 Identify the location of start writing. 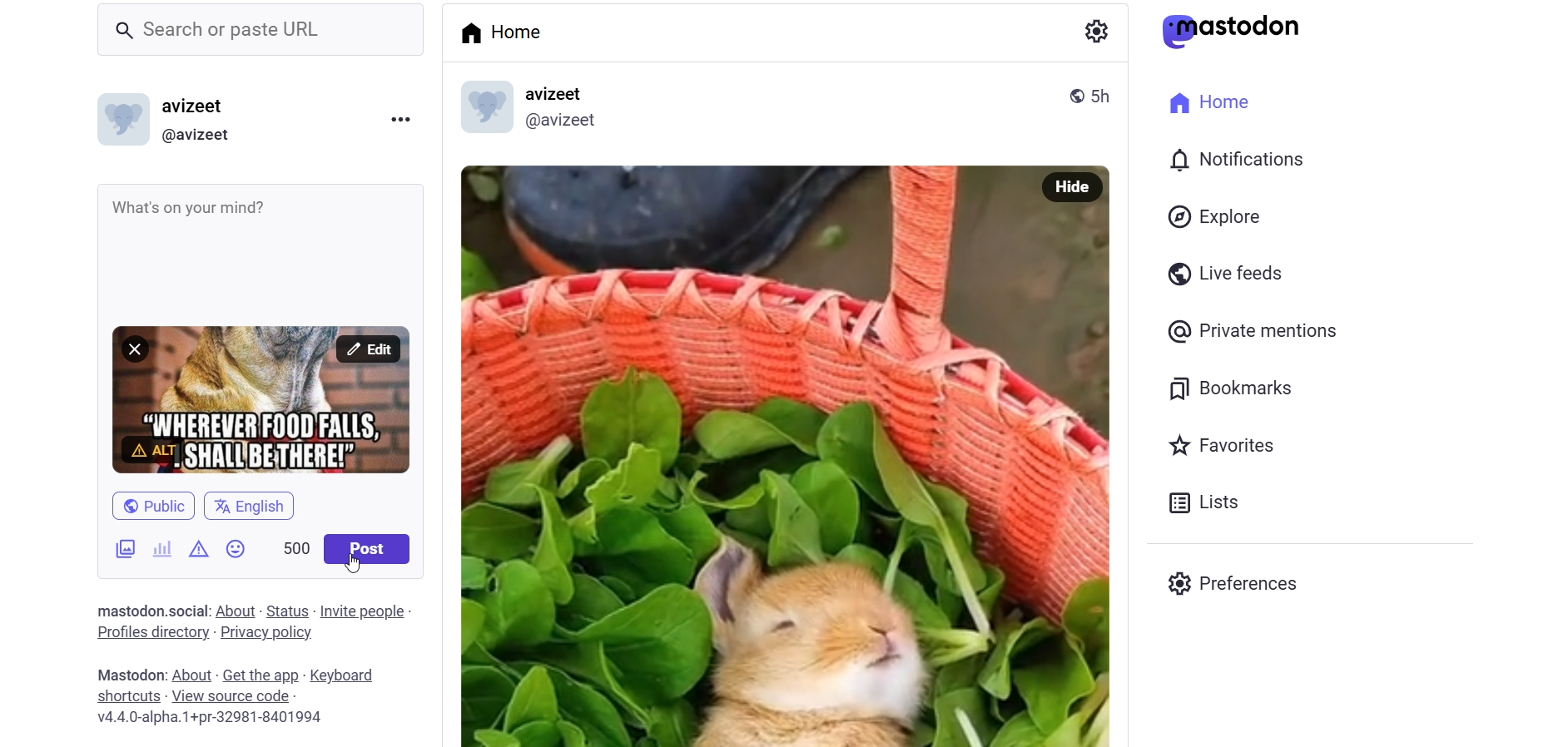
(117, 208).